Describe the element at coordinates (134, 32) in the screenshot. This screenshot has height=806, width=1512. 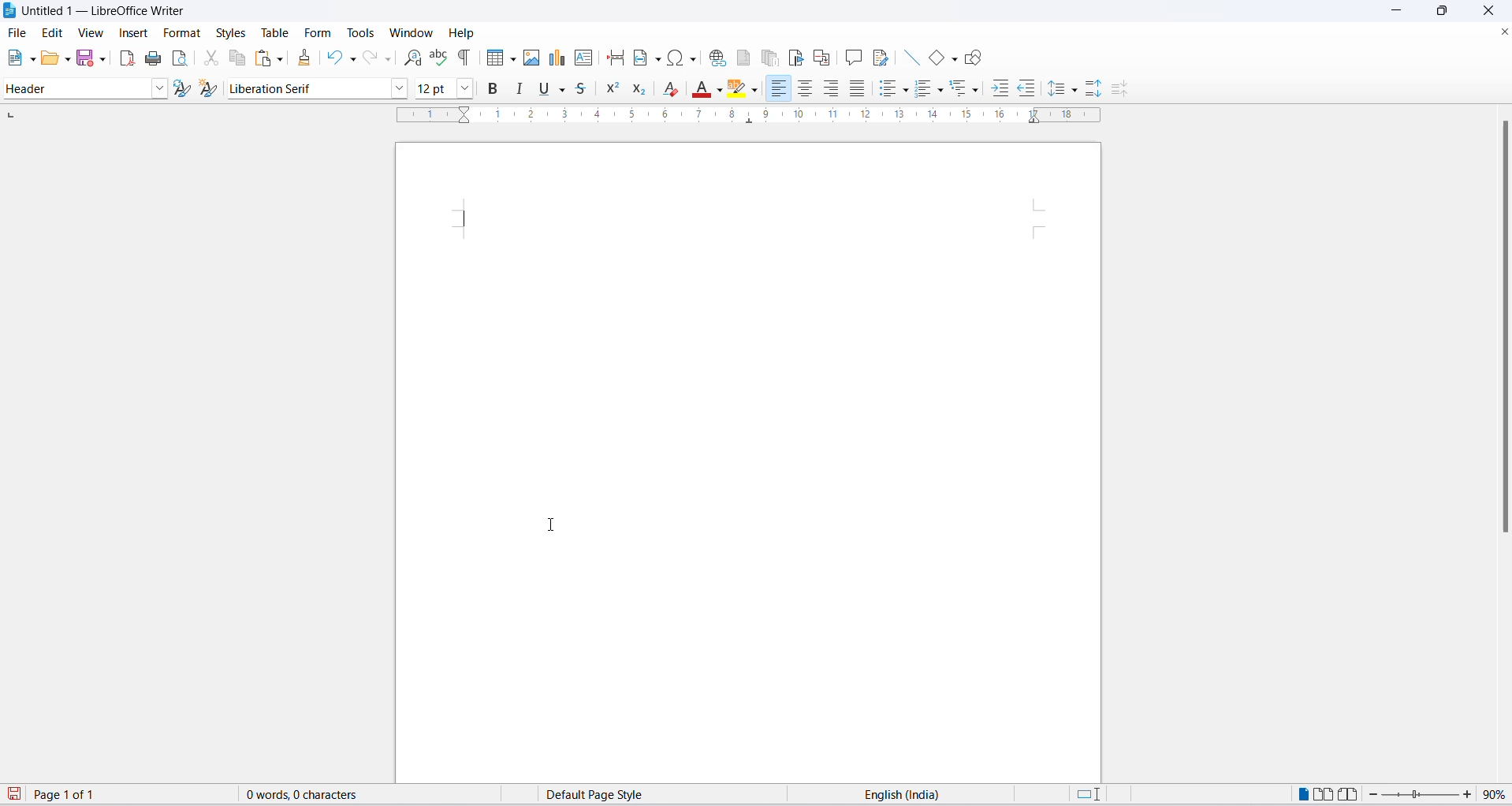
I see `insert` at that location.